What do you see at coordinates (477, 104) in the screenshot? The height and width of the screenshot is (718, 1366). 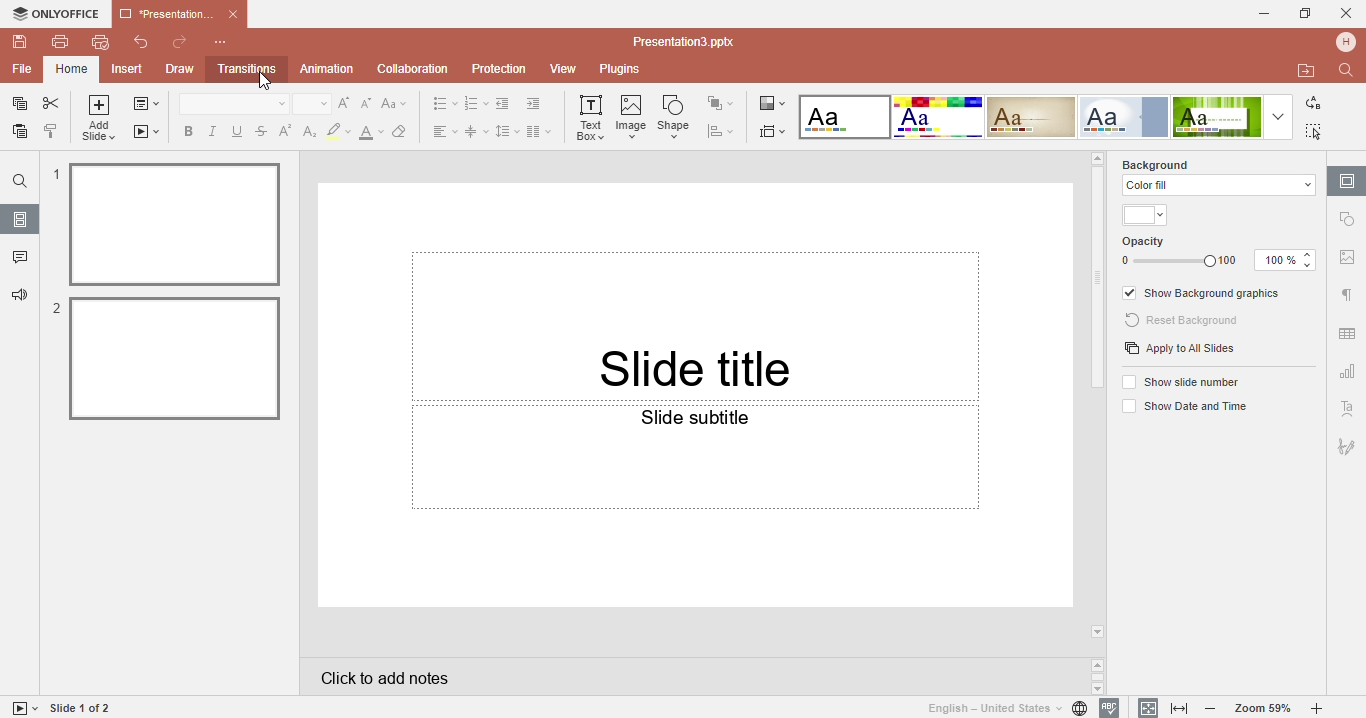 I see `Numbering` at bounding box center [477, 104].